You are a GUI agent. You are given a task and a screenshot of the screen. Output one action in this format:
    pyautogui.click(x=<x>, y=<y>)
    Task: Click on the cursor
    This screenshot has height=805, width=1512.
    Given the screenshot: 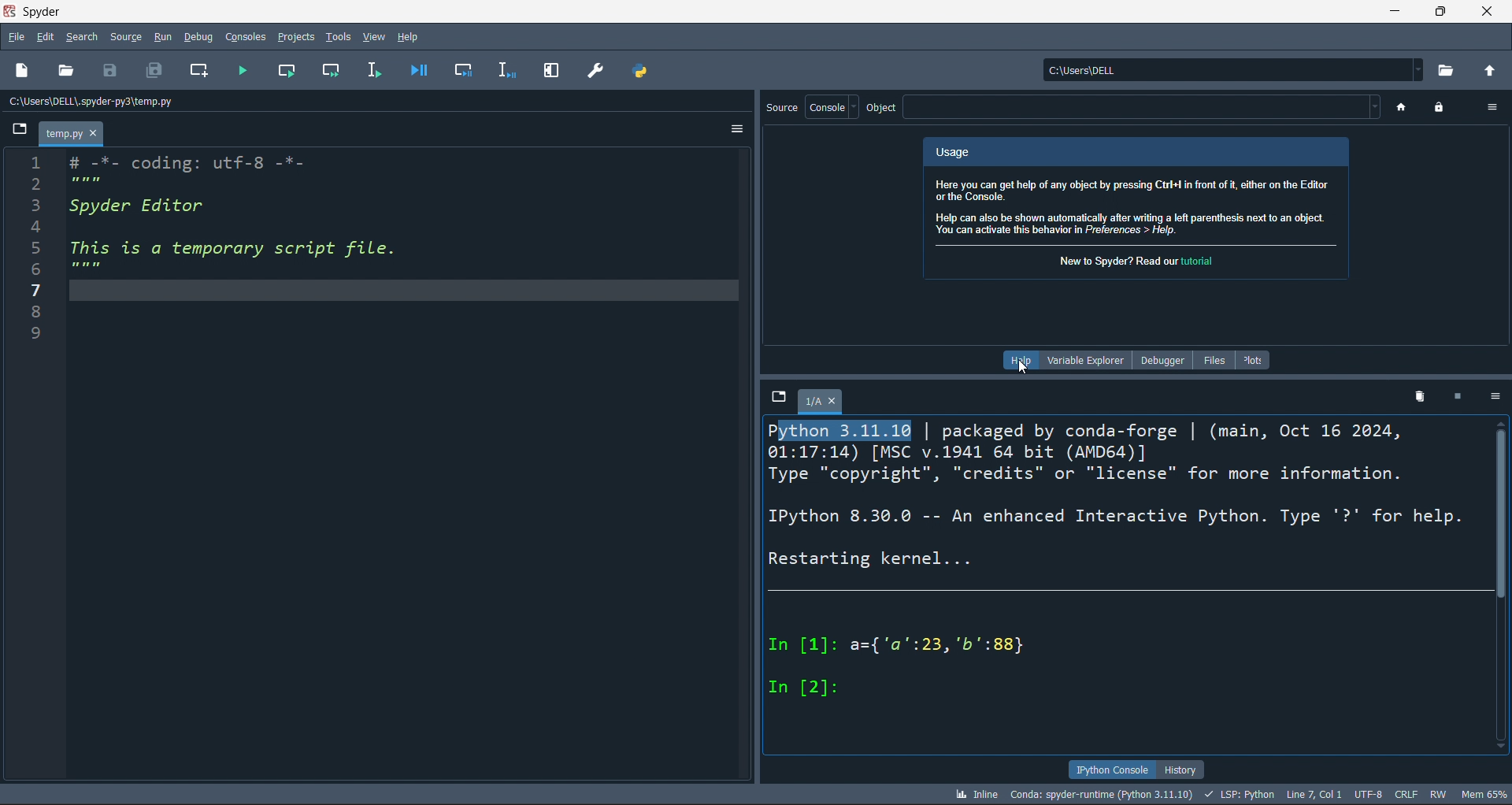 What is the action you would take?
    pyautogui.click(x=1019, y=365)
    